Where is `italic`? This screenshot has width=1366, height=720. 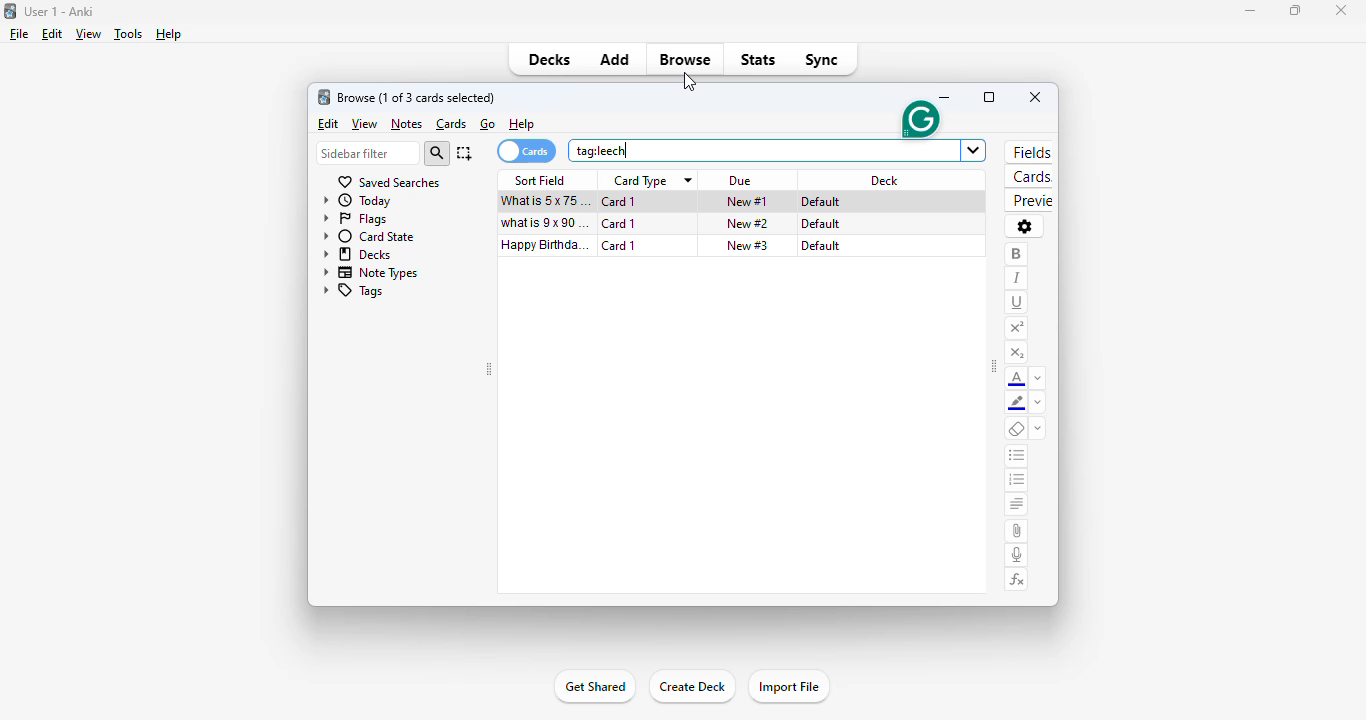 italic is located at coordinates (1018, 278).